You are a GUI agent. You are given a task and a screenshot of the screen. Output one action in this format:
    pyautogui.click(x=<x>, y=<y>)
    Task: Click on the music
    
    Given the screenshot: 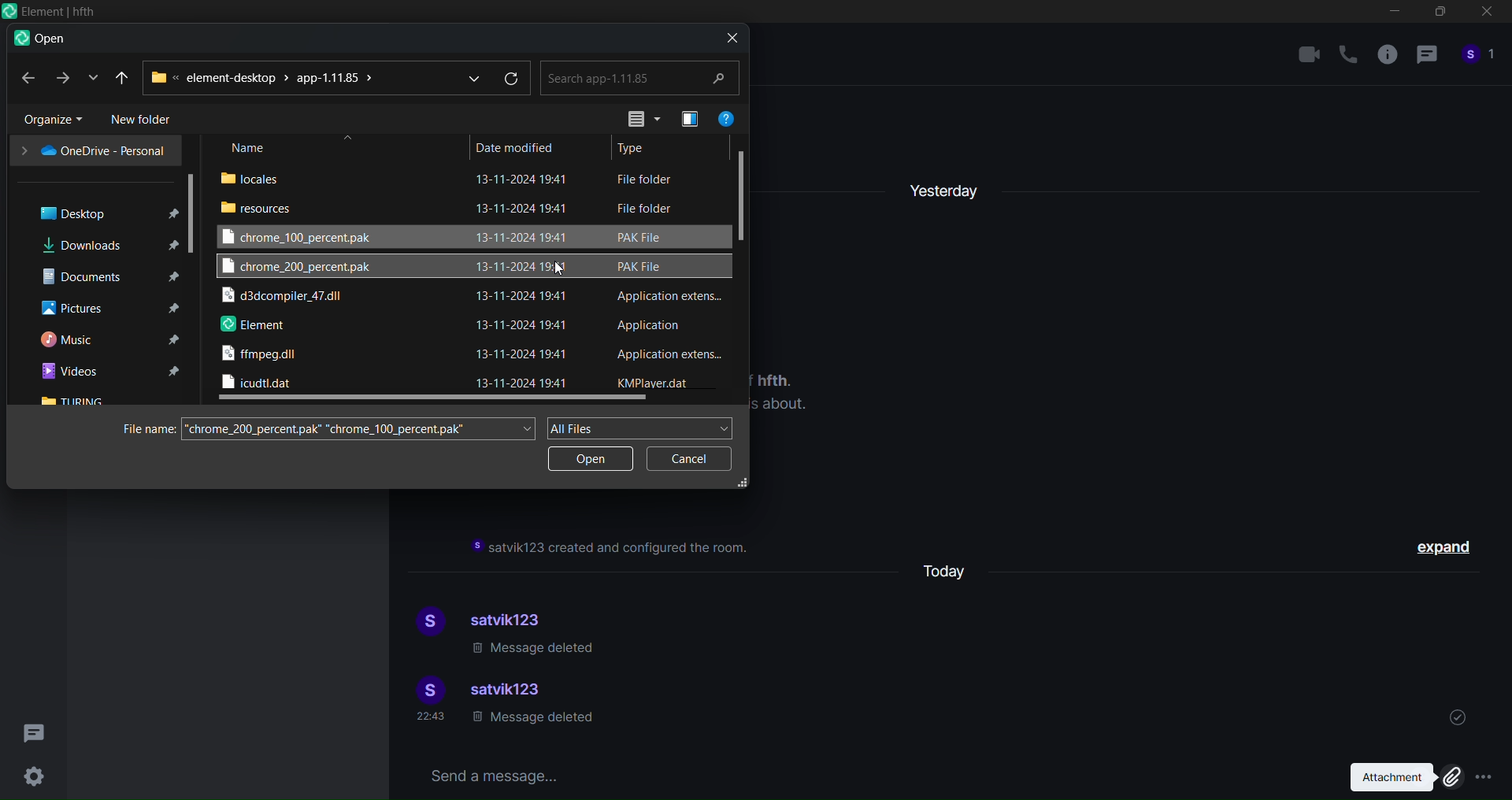 What is the action you would take?
    pyautogui.click(x=106, y=340)
    